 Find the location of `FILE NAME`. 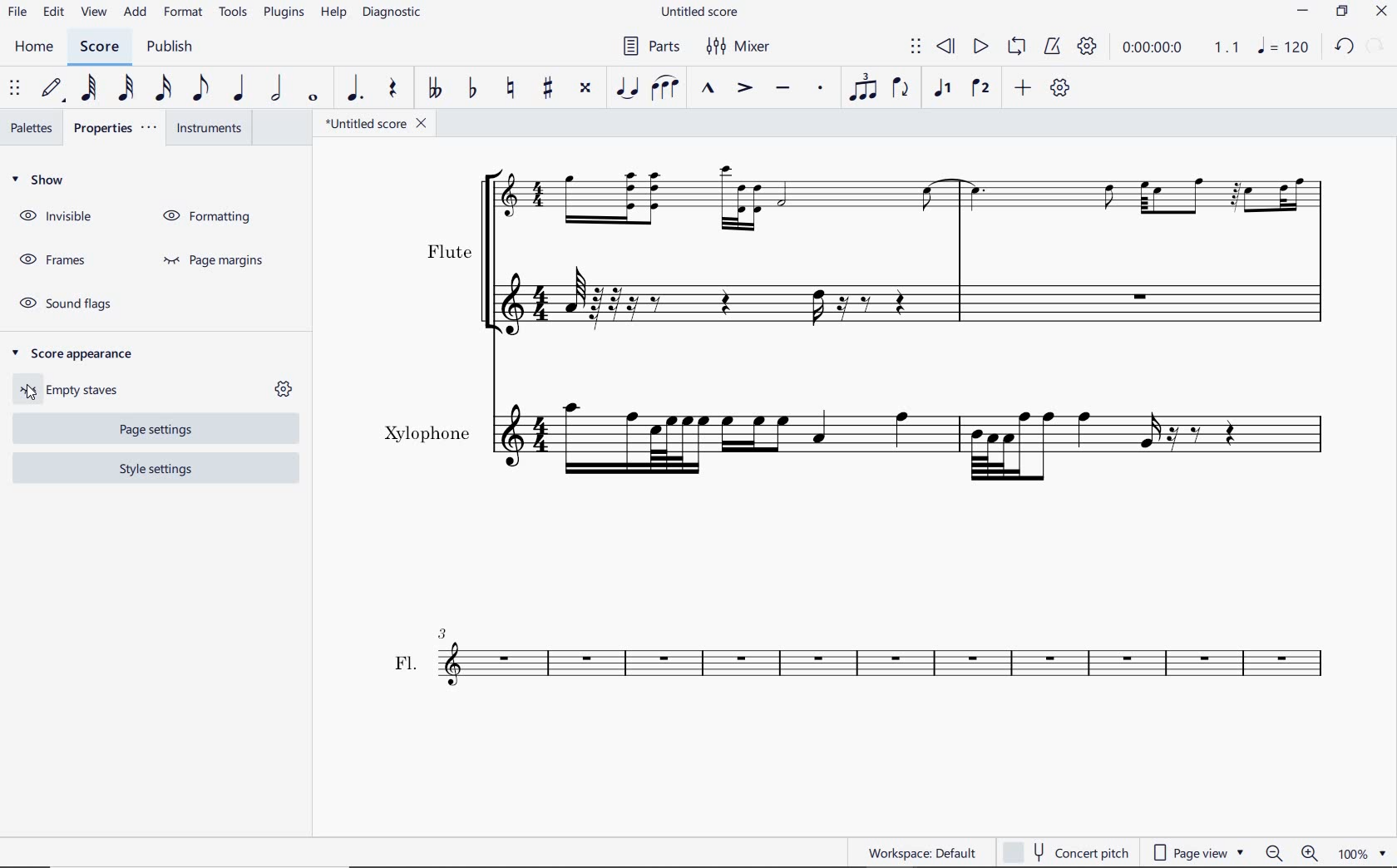

FILE NAME is located at coordinates (701, 12).